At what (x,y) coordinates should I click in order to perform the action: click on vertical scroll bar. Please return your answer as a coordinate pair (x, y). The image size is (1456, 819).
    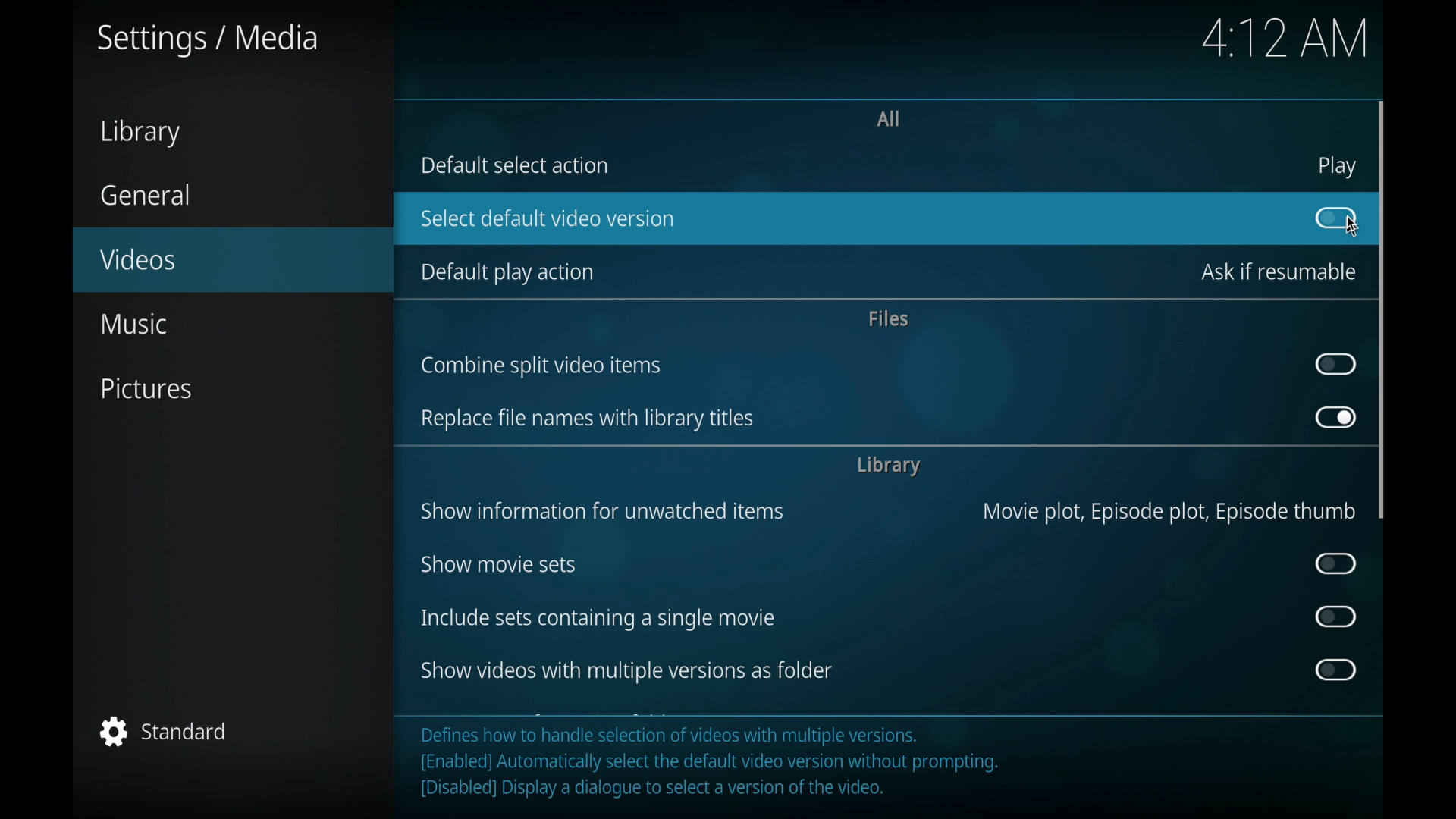
    Looking at the image, I should click on (1382, 311).